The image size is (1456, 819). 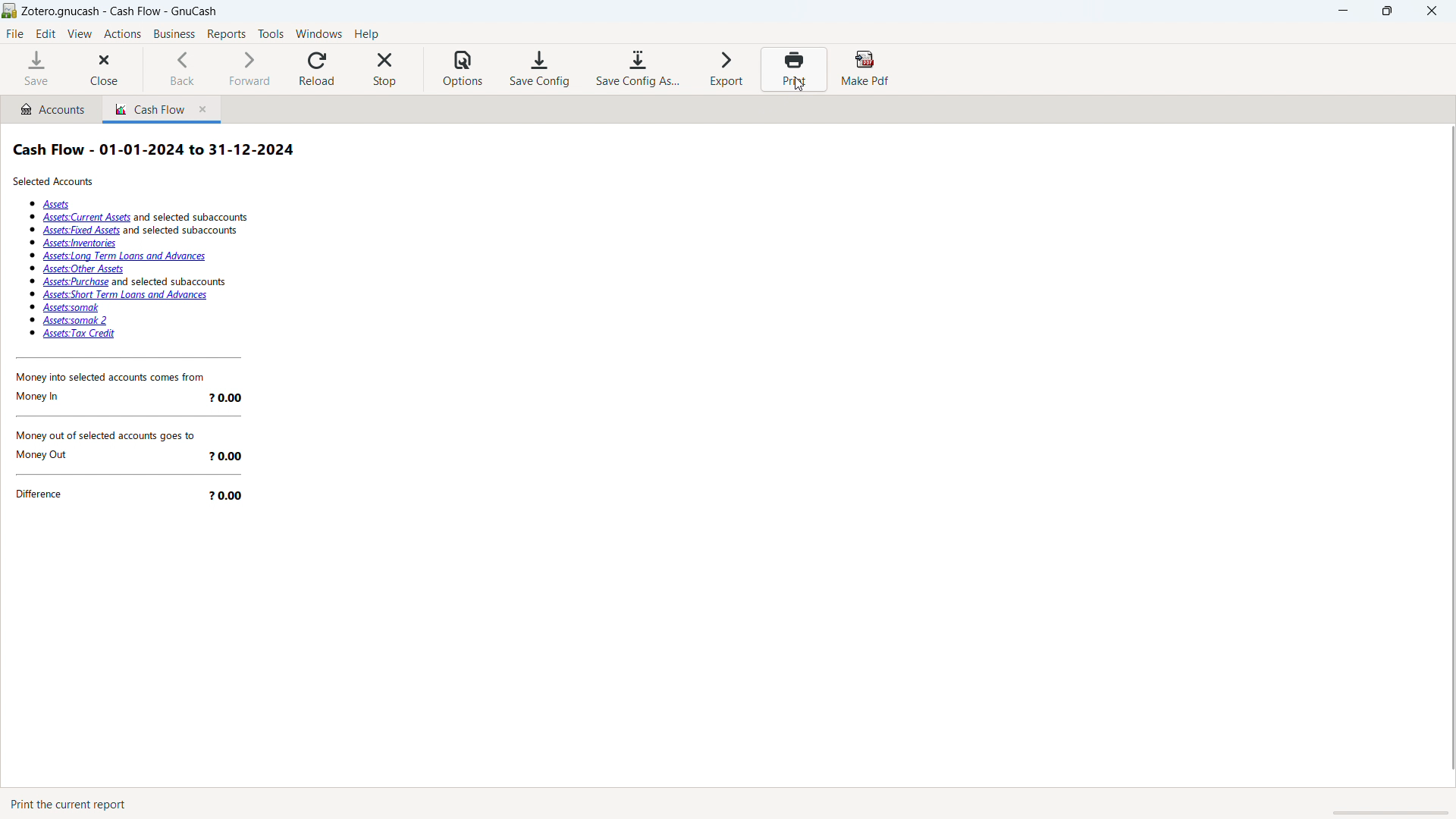 I want to click on Selected Accounts, so click(x=55, y=182).